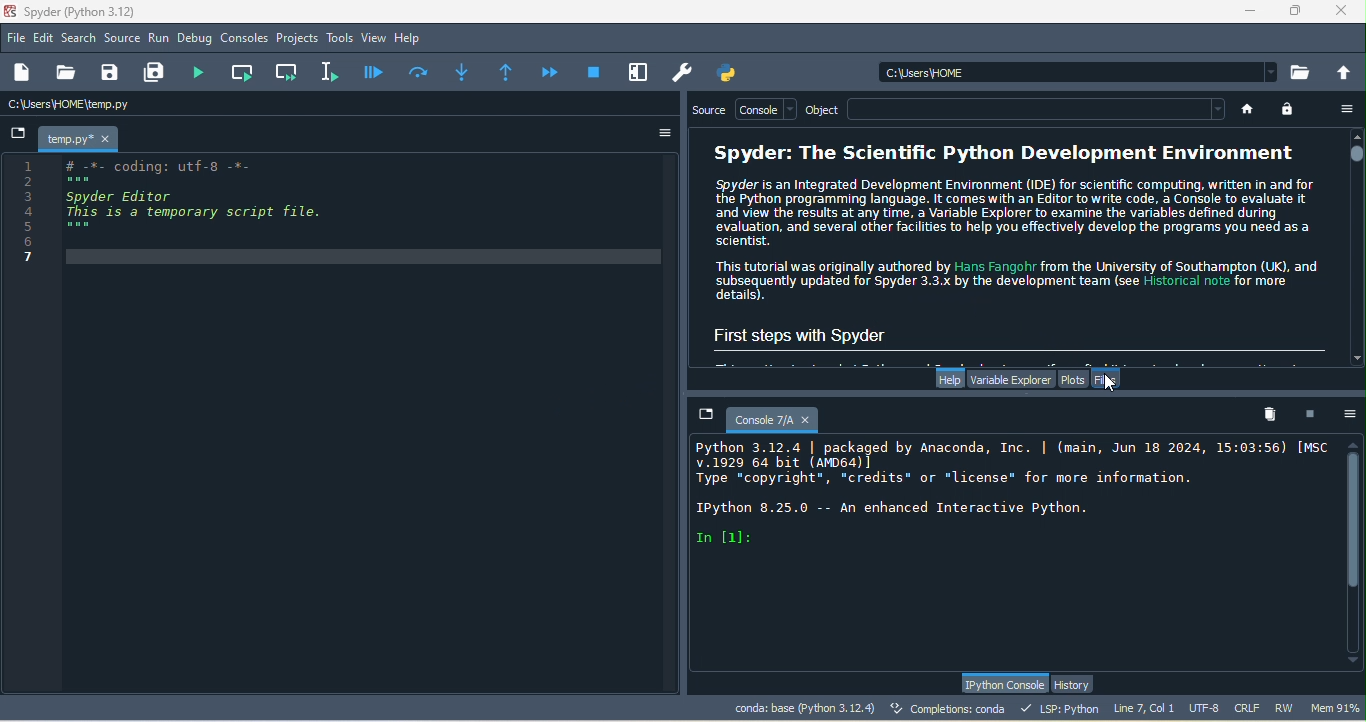 The width and height of the screenshot is (1366, 722). I want to click on plots, so click(1074, 378).